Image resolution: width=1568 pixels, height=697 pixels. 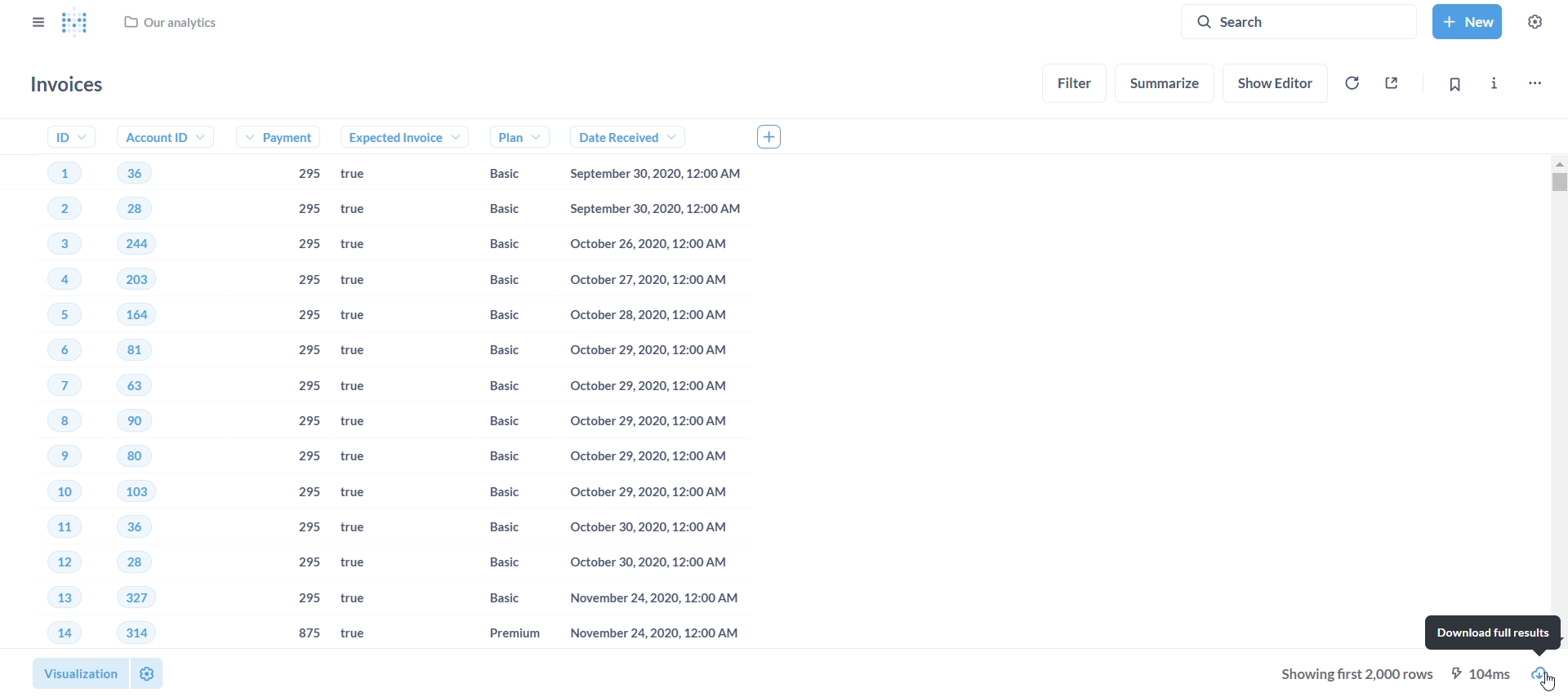 I want to click on 314, so click(x=136, y=632).